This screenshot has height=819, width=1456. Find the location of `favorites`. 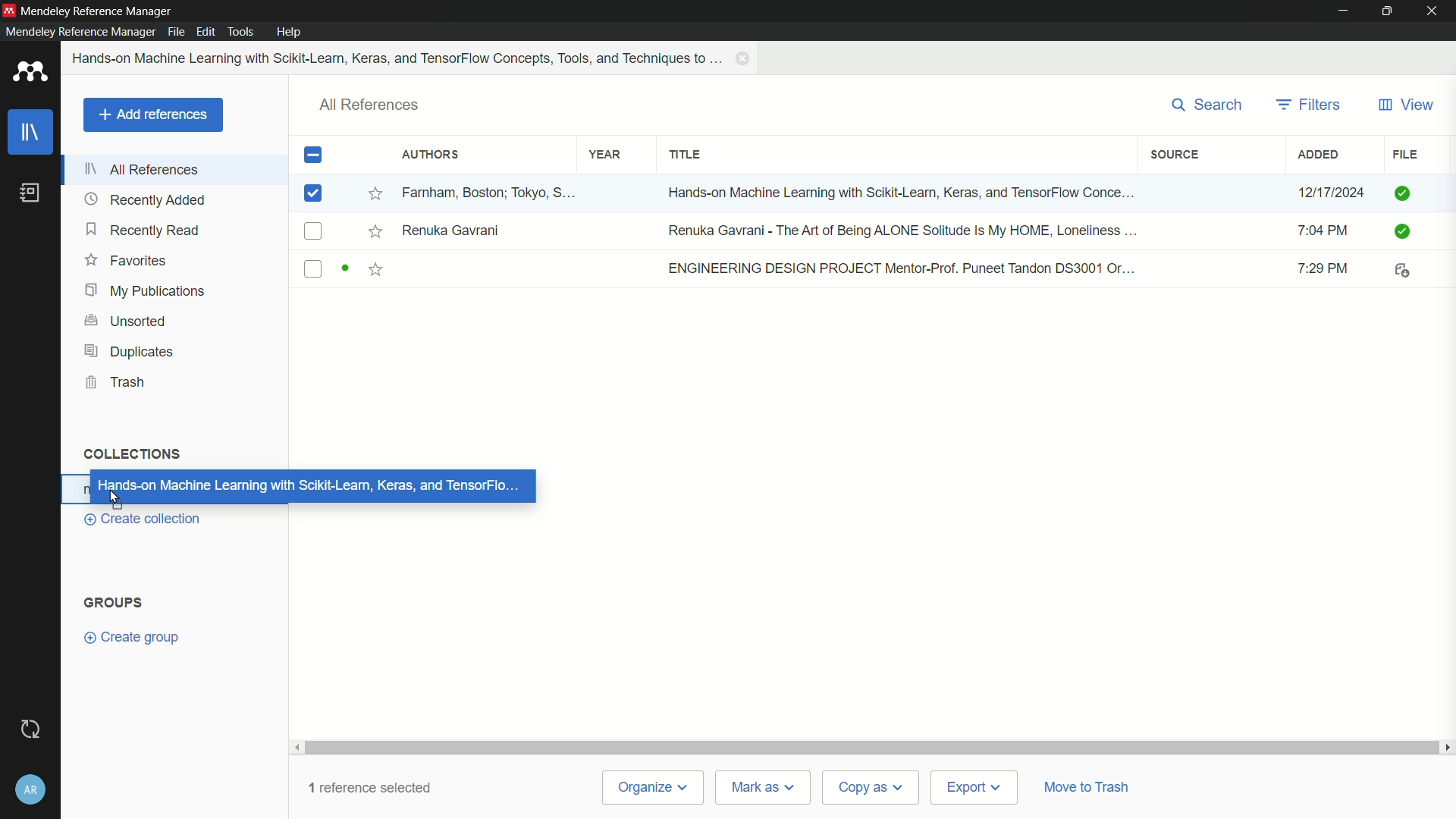

favorites is located at coordinates (126, 260).